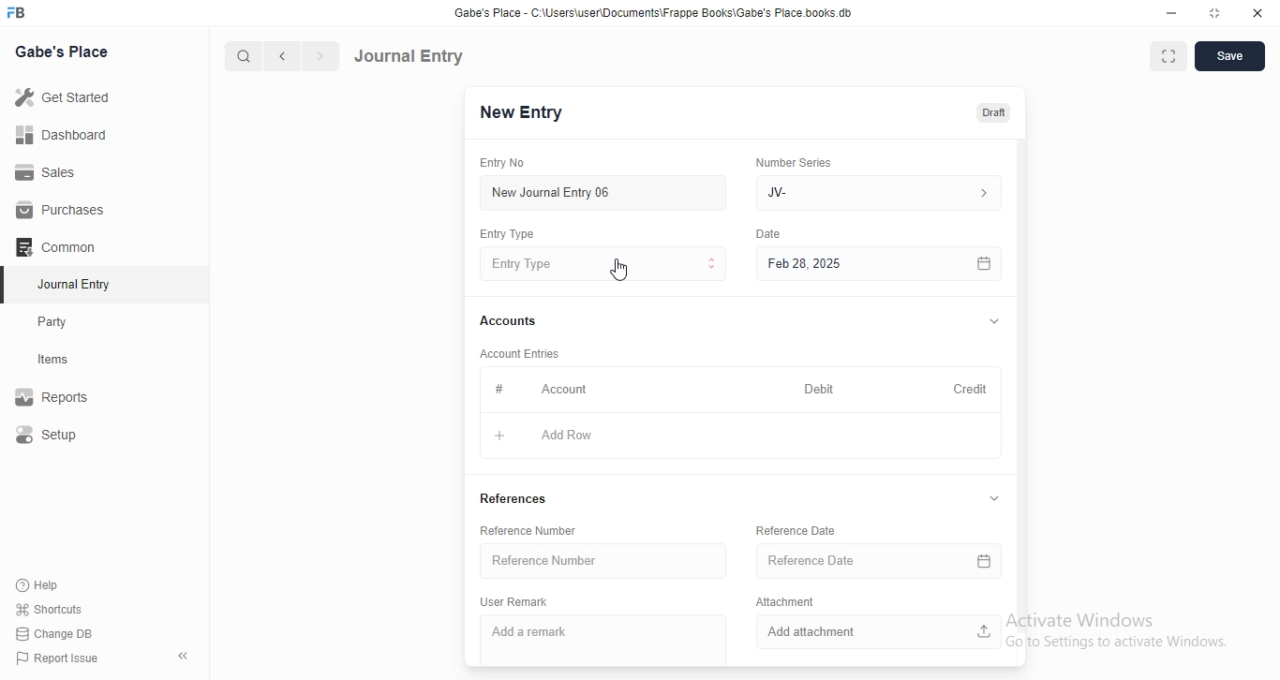 Image resolution: width=1280 pixels, height=680 pixels. What do you see at coordinates (805, 160) in the screenshot?
I see `‘Number Series` at bounding box center [805, 160].